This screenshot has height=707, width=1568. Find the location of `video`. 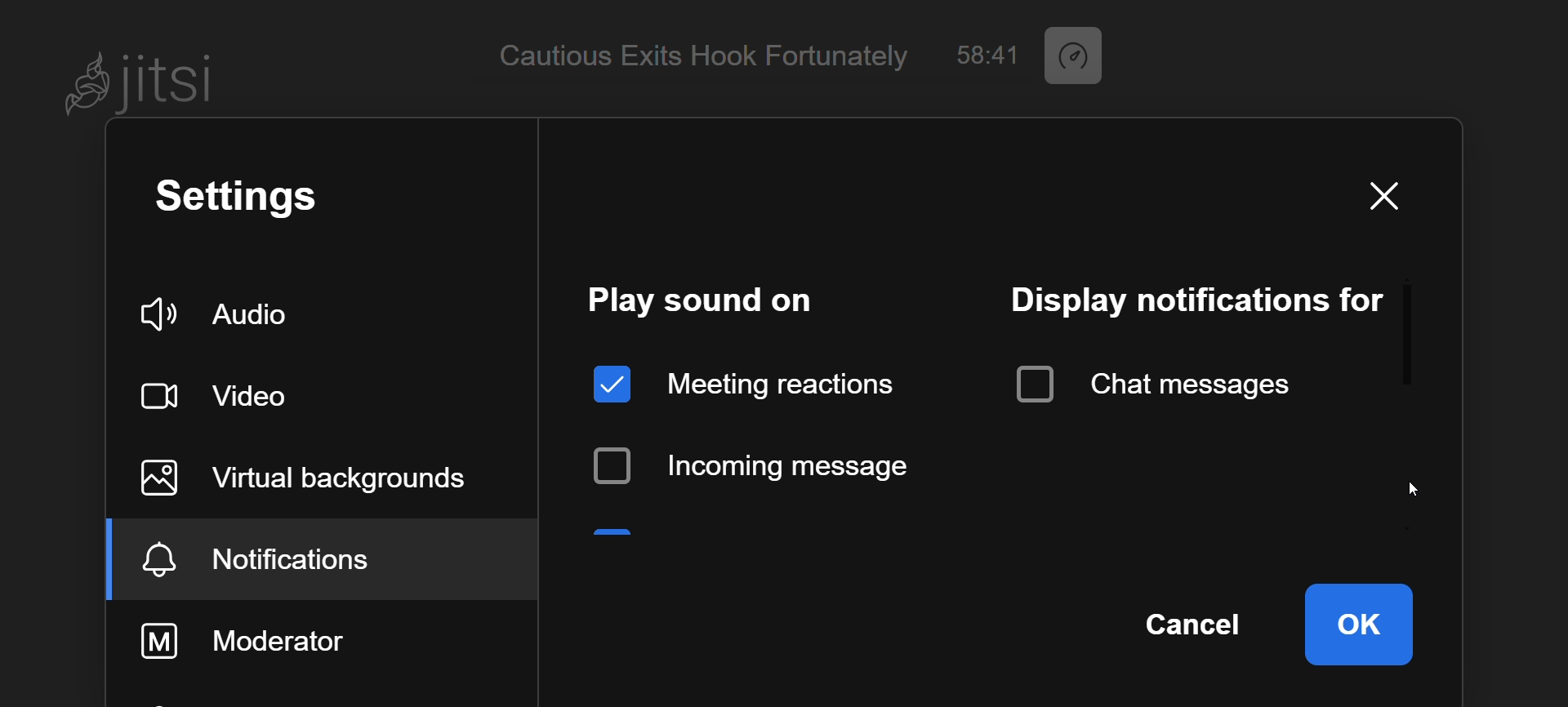

video is located at coordinates (229, 395).